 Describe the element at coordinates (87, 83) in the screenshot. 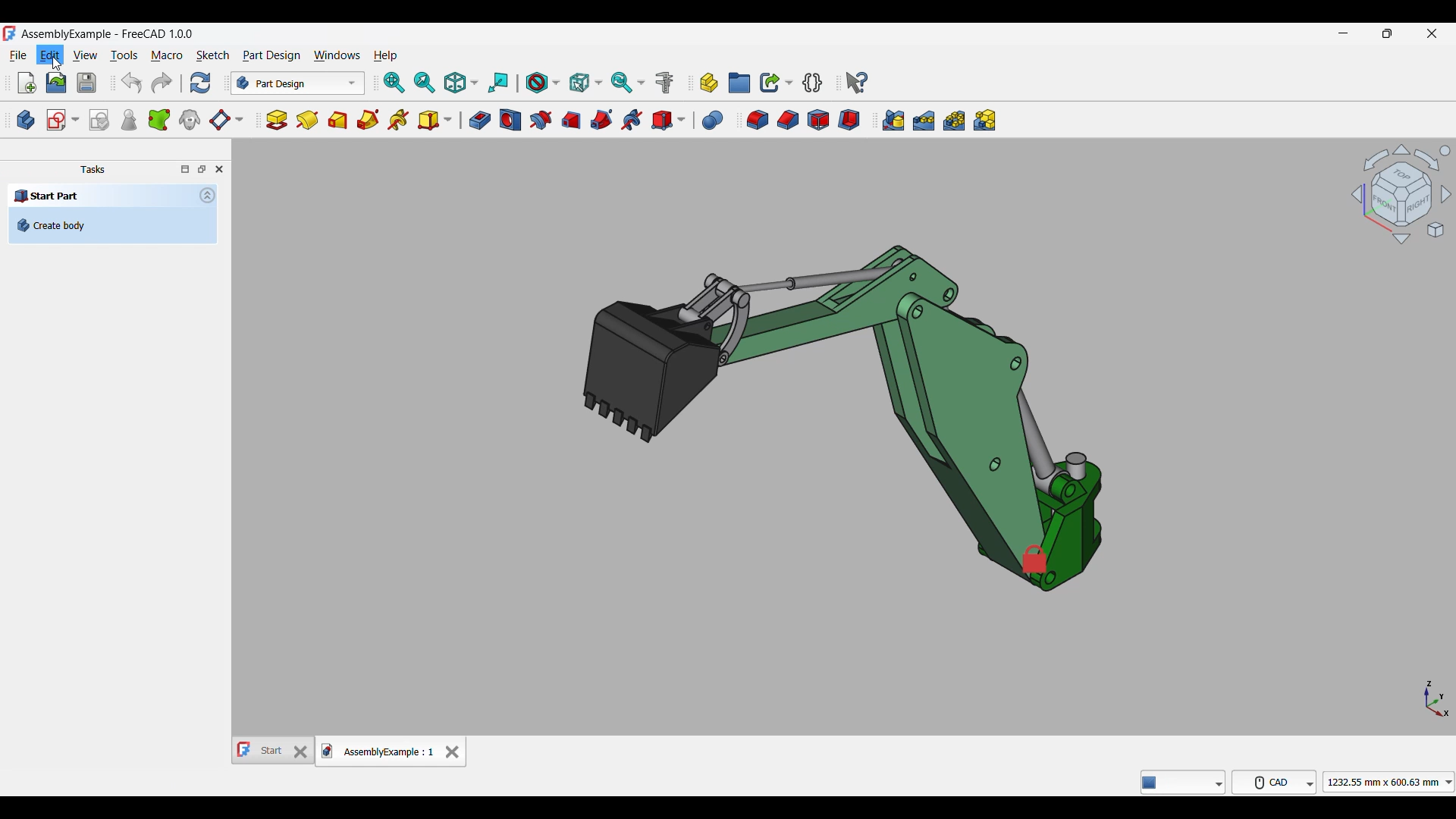

I see `Save` at that location.